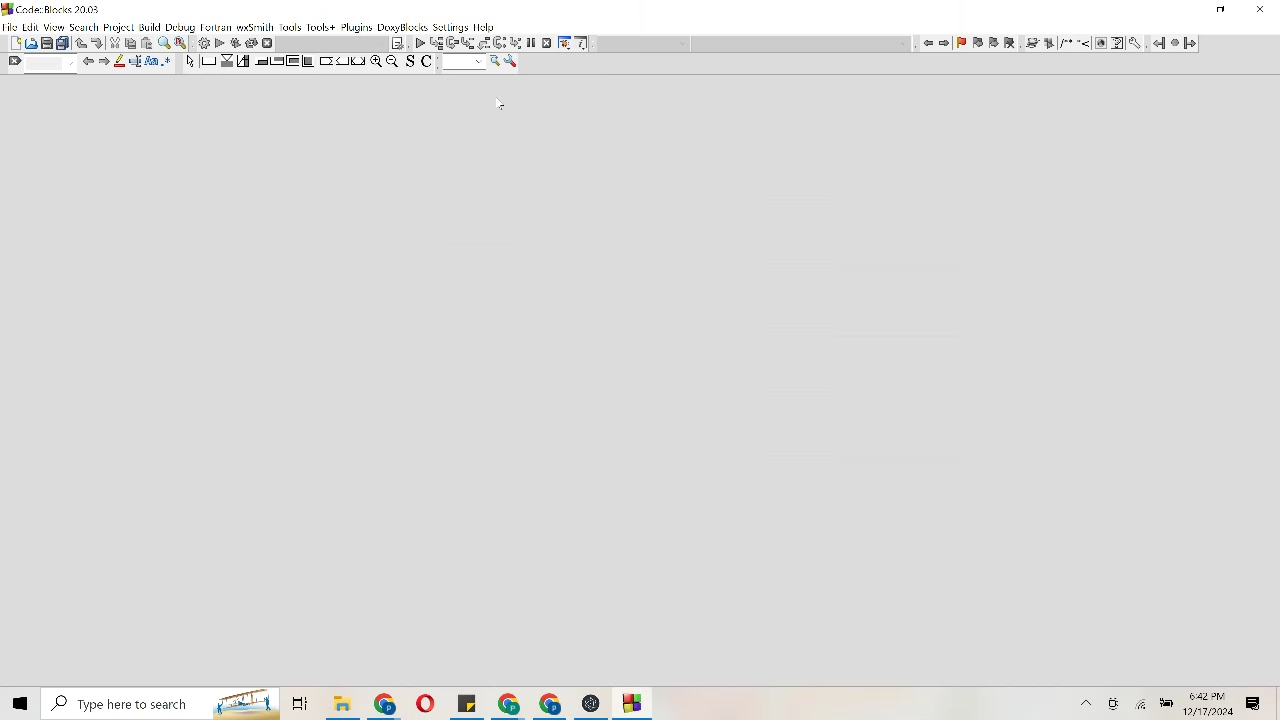  I want to click on Camera, so click(1116, 703).